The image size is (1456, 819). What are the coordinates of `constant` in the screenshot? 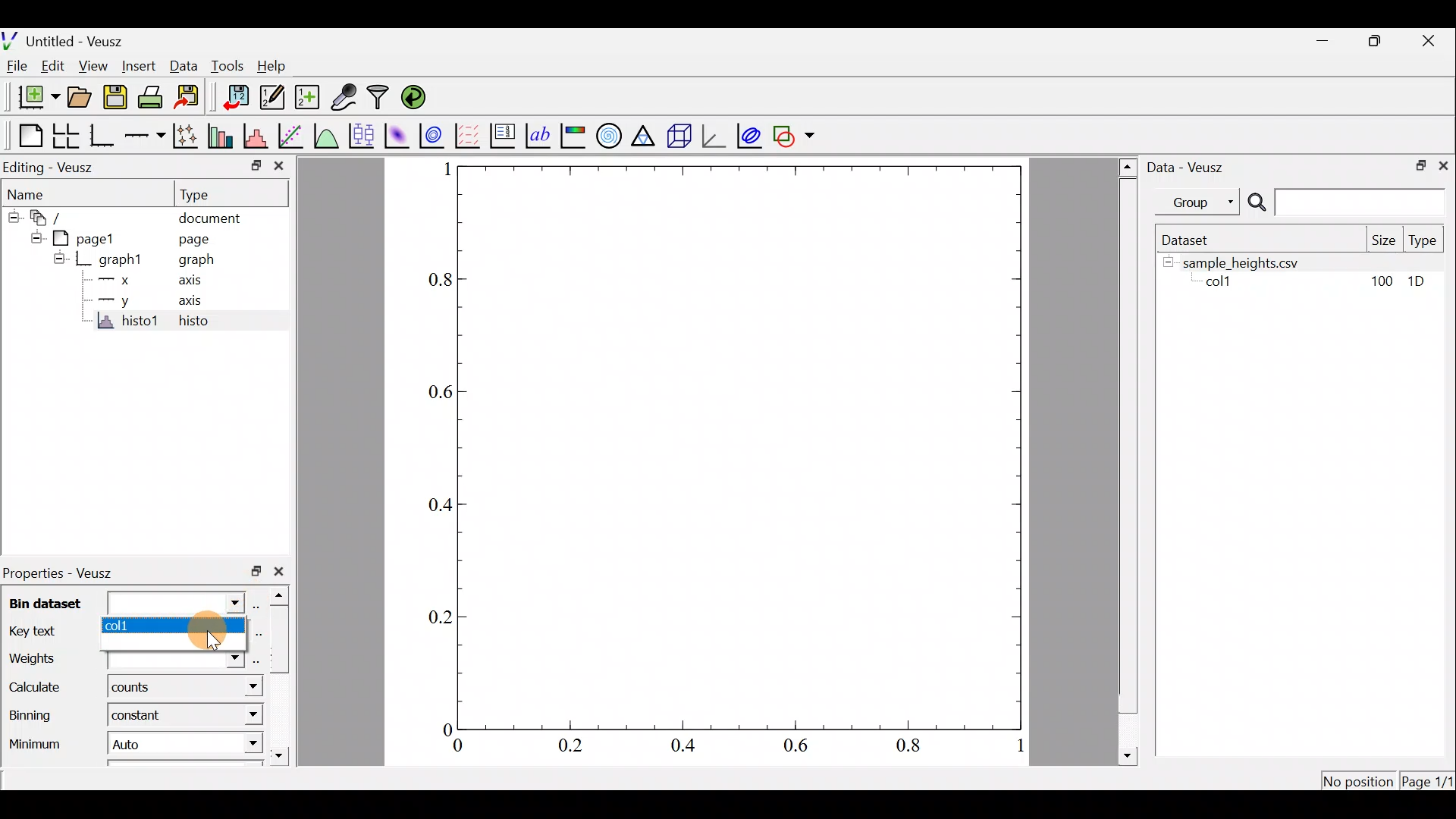 It's located at (144, 719).